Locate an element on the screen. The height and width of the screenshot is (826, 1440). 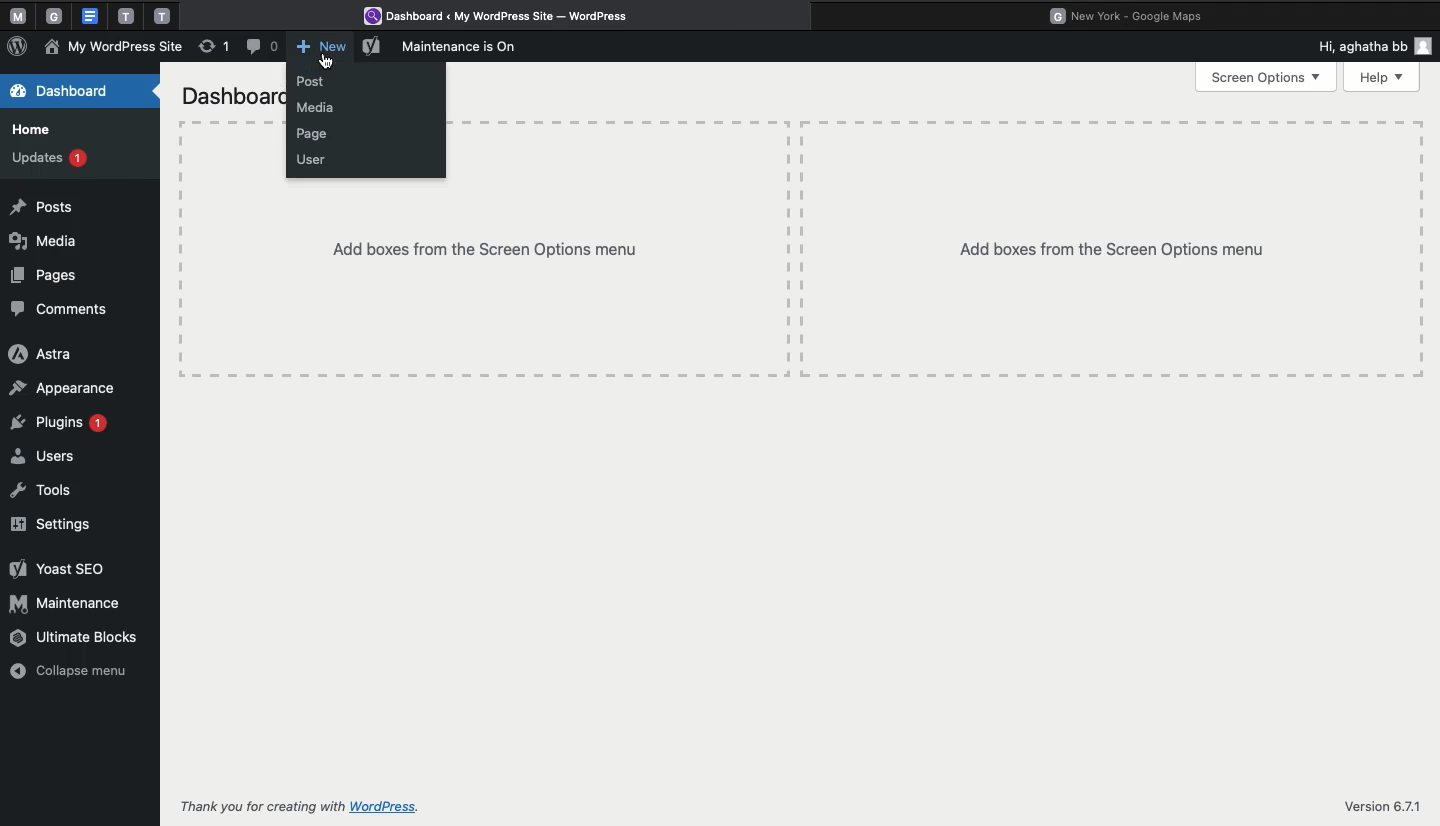
Media is located at coordinates (53, 241).